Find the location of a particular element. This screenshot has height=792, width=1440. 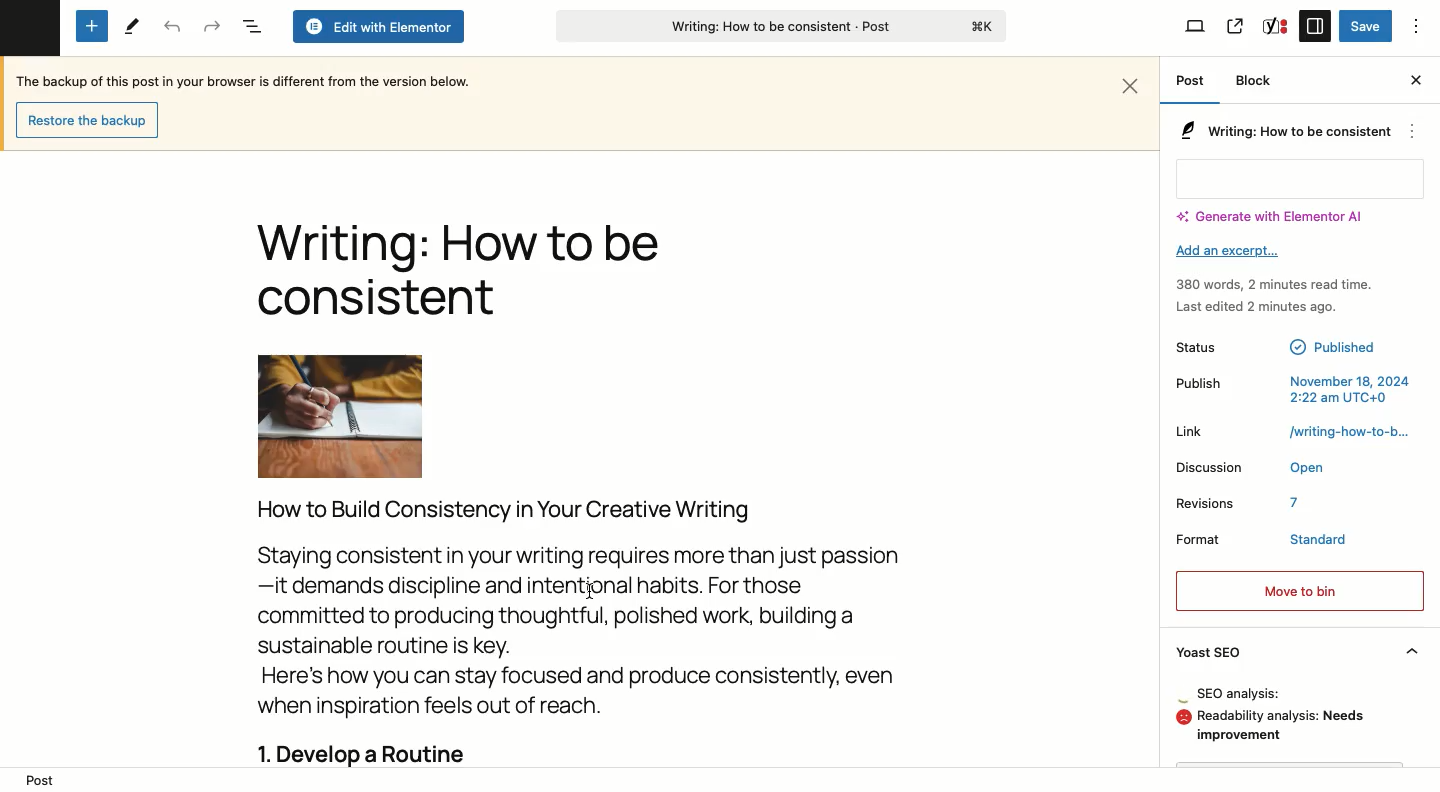

Settings is located at coordinates (1314, 25).